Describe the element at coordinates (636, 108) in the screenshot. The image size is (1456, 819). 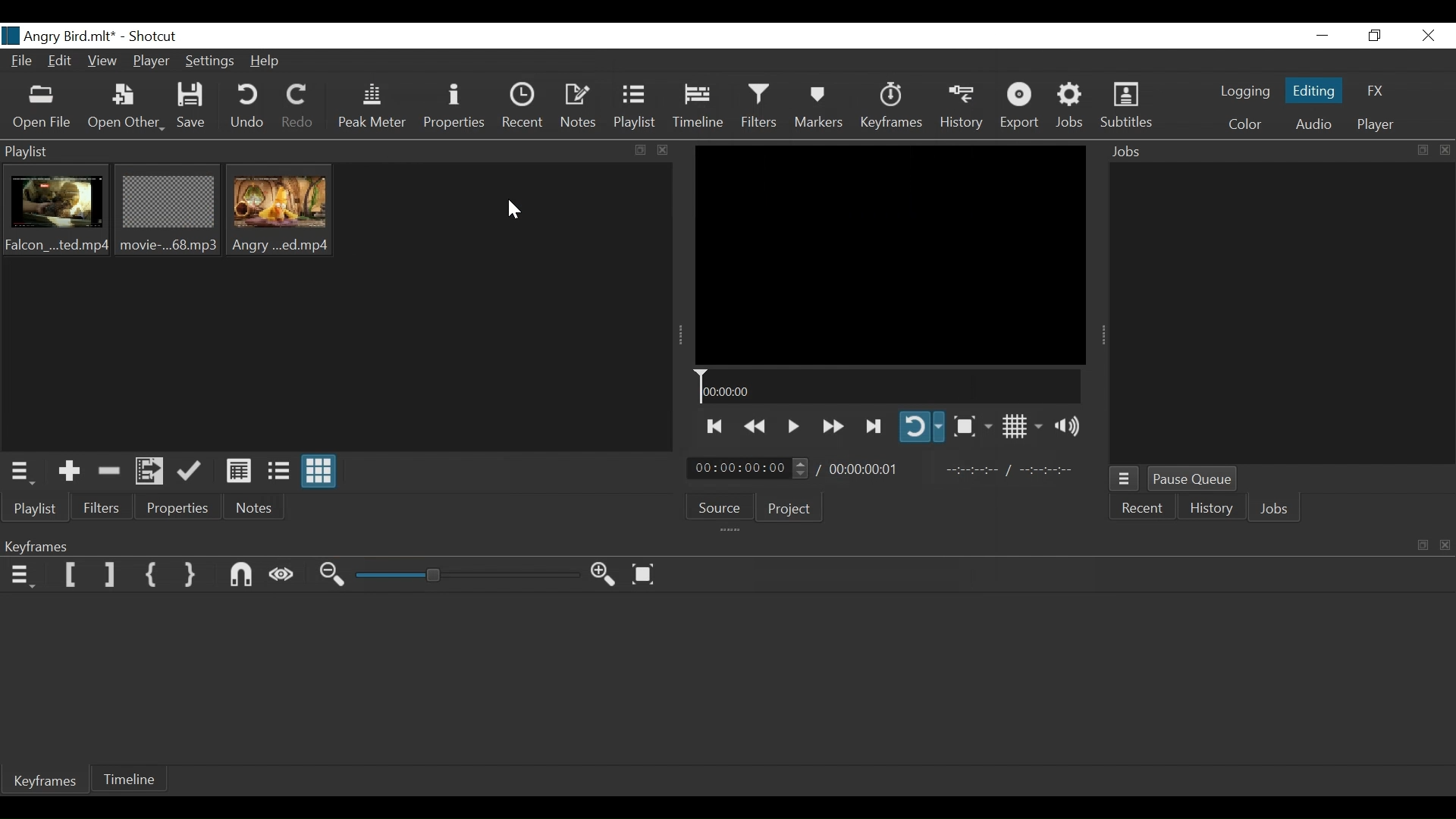
I see `Playlist` at that location.